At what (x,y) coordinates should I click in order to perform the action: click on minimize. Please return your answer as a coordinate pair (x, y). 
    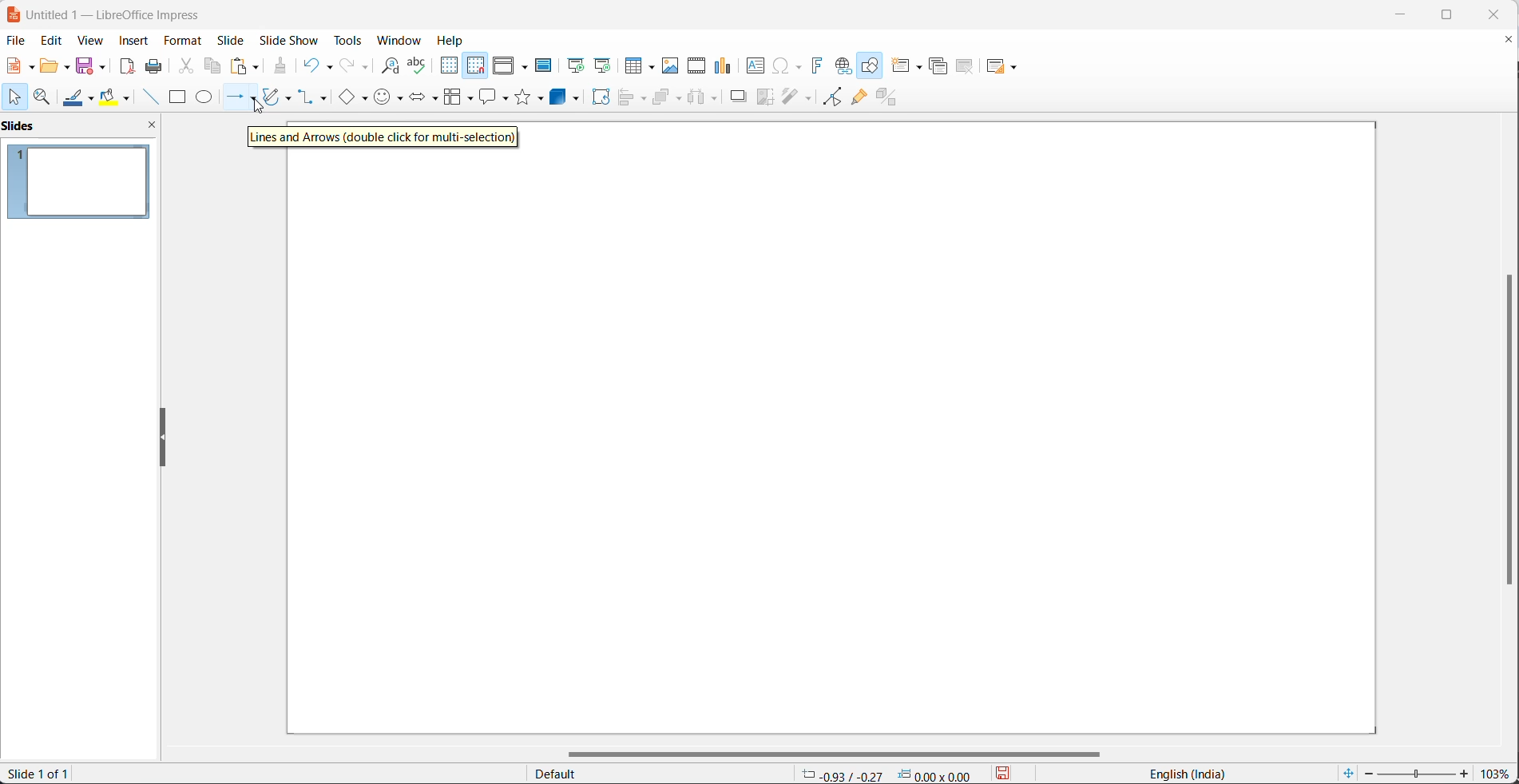
    Looking at the image, I should click on (1400, 14).